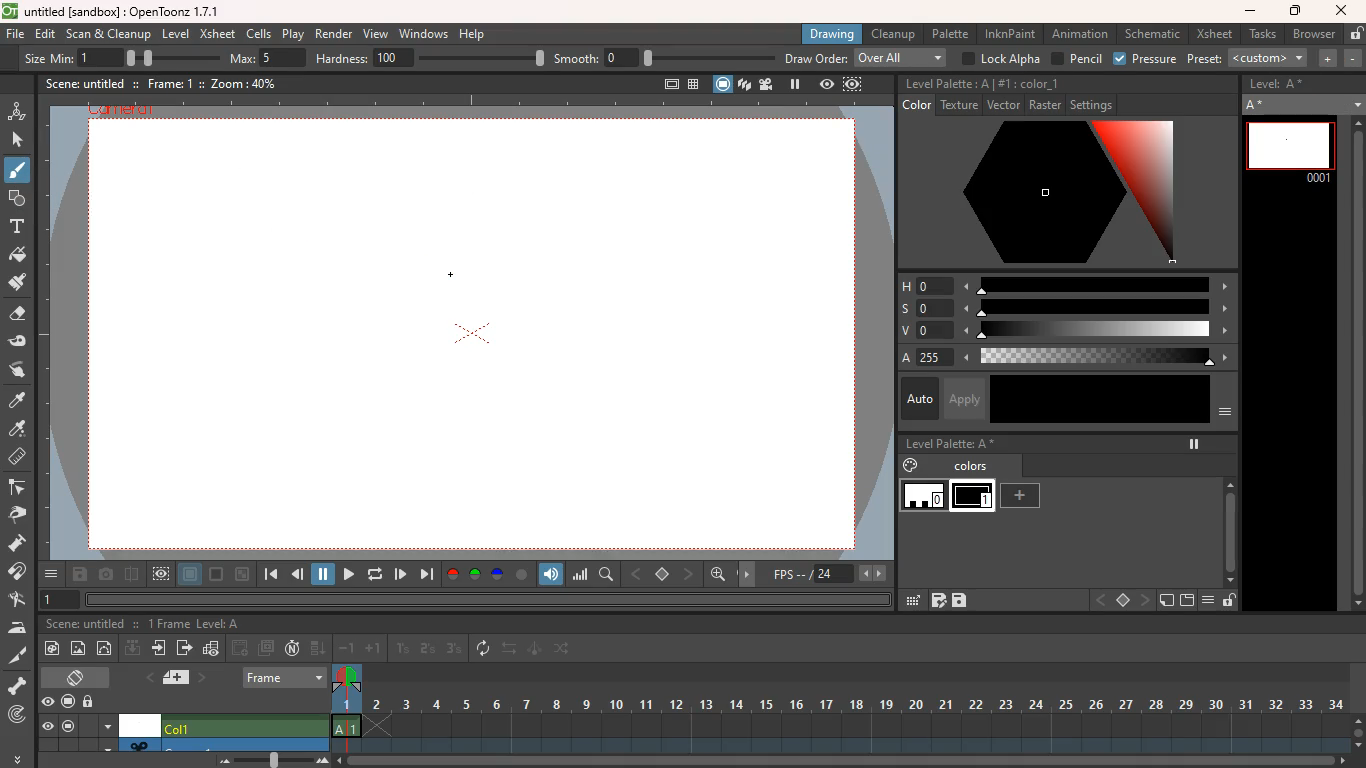  I want to click on 1, so click(61, 599).